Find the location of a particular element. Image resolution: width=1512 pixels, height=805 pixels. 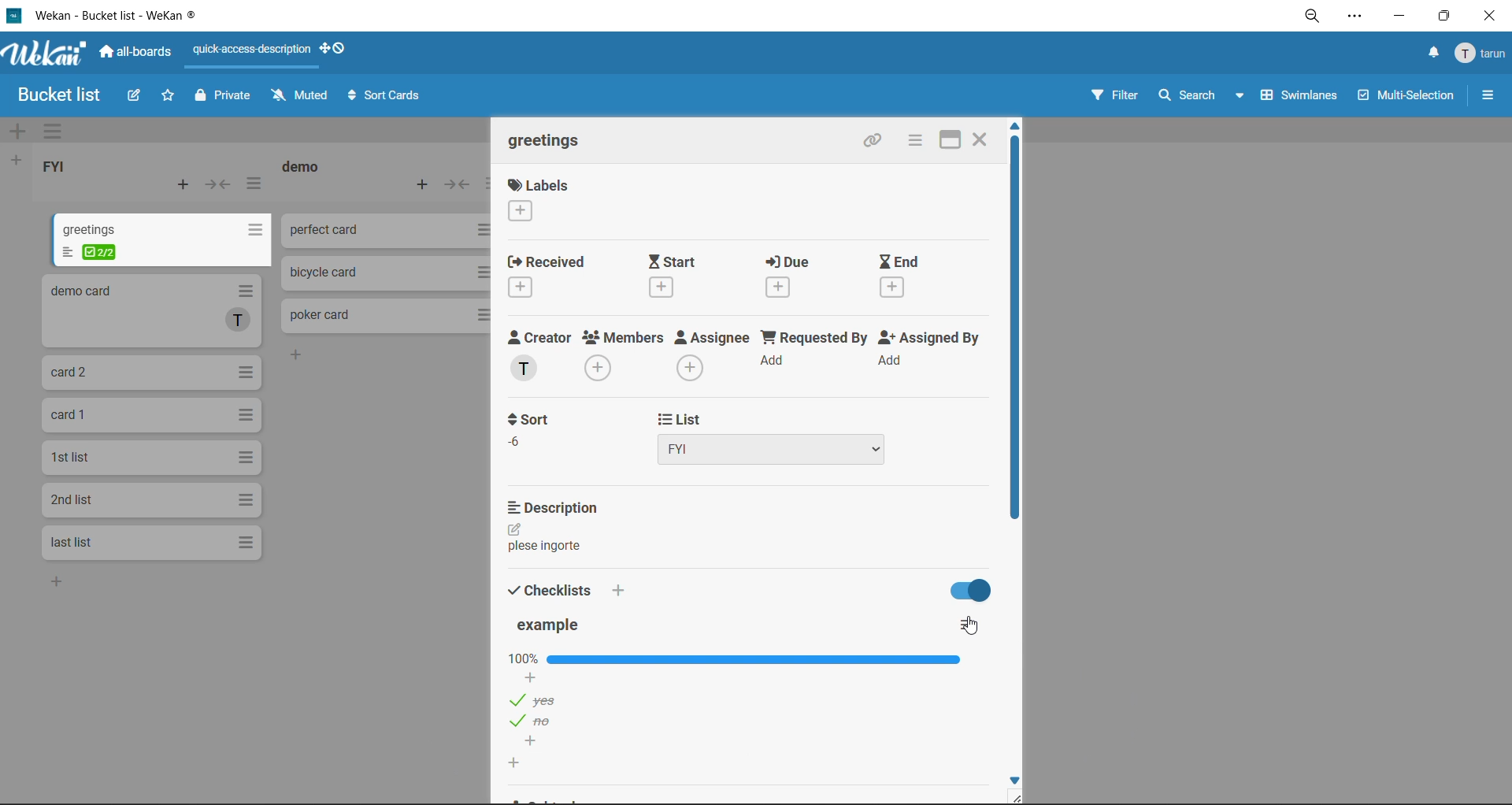

search is located at coordinates (1203, 96).